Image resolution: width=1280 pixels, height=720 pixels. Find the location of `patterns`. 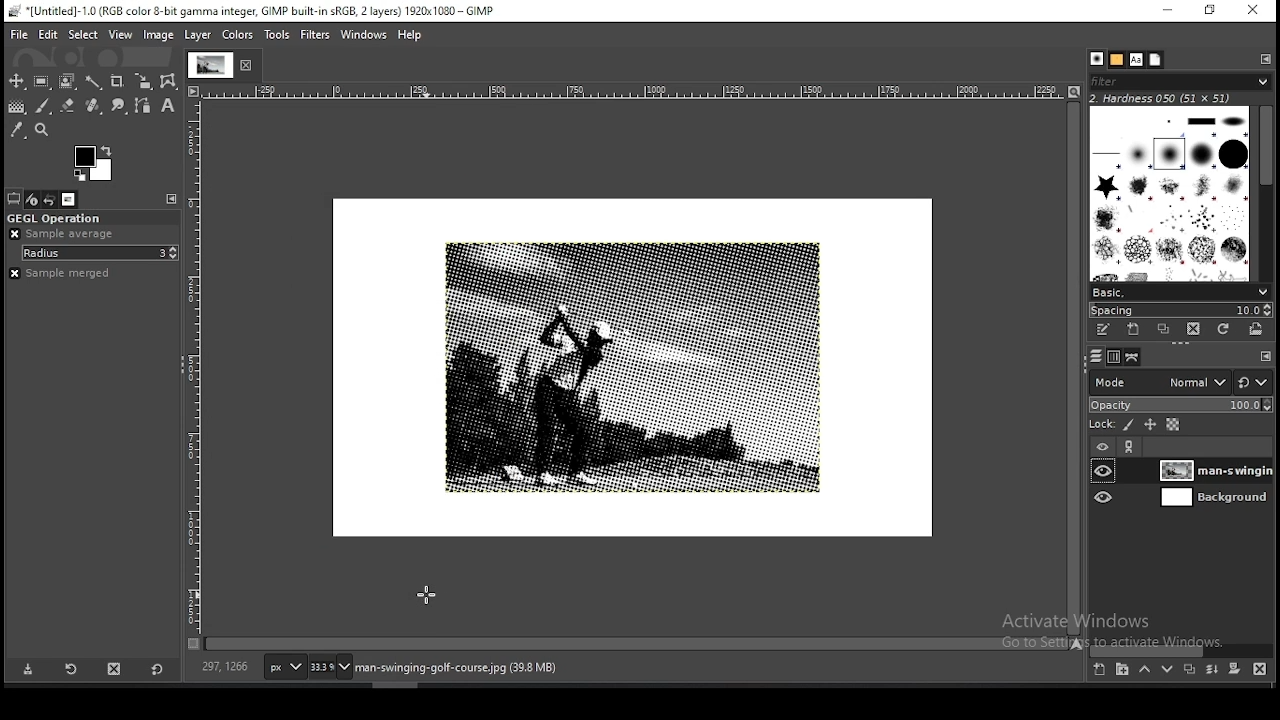

patterns is located at coordinates (1117, 59).